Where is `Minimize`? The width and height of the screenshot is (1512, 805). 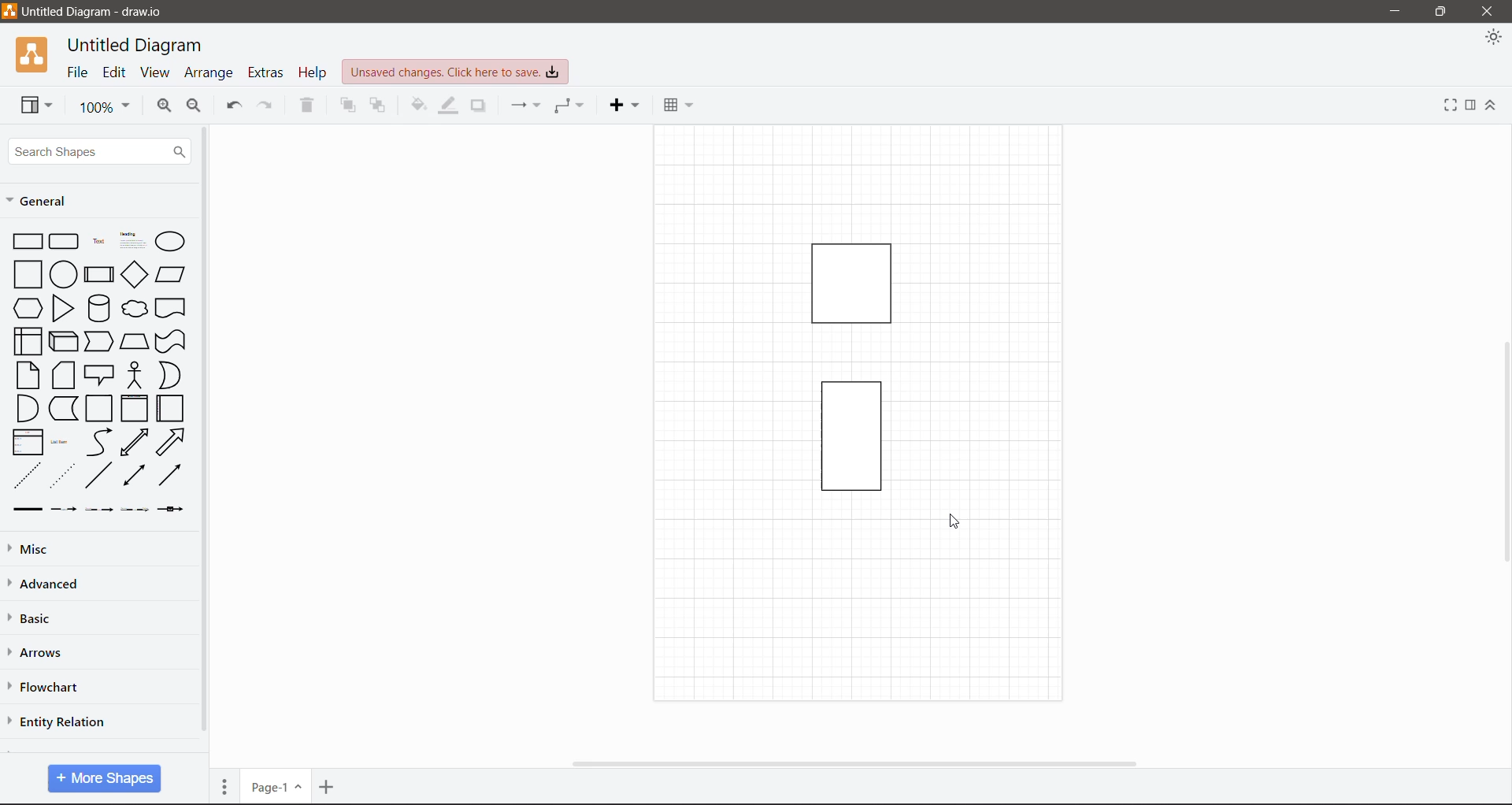
Minimize is located at coordinates (1395, 12).